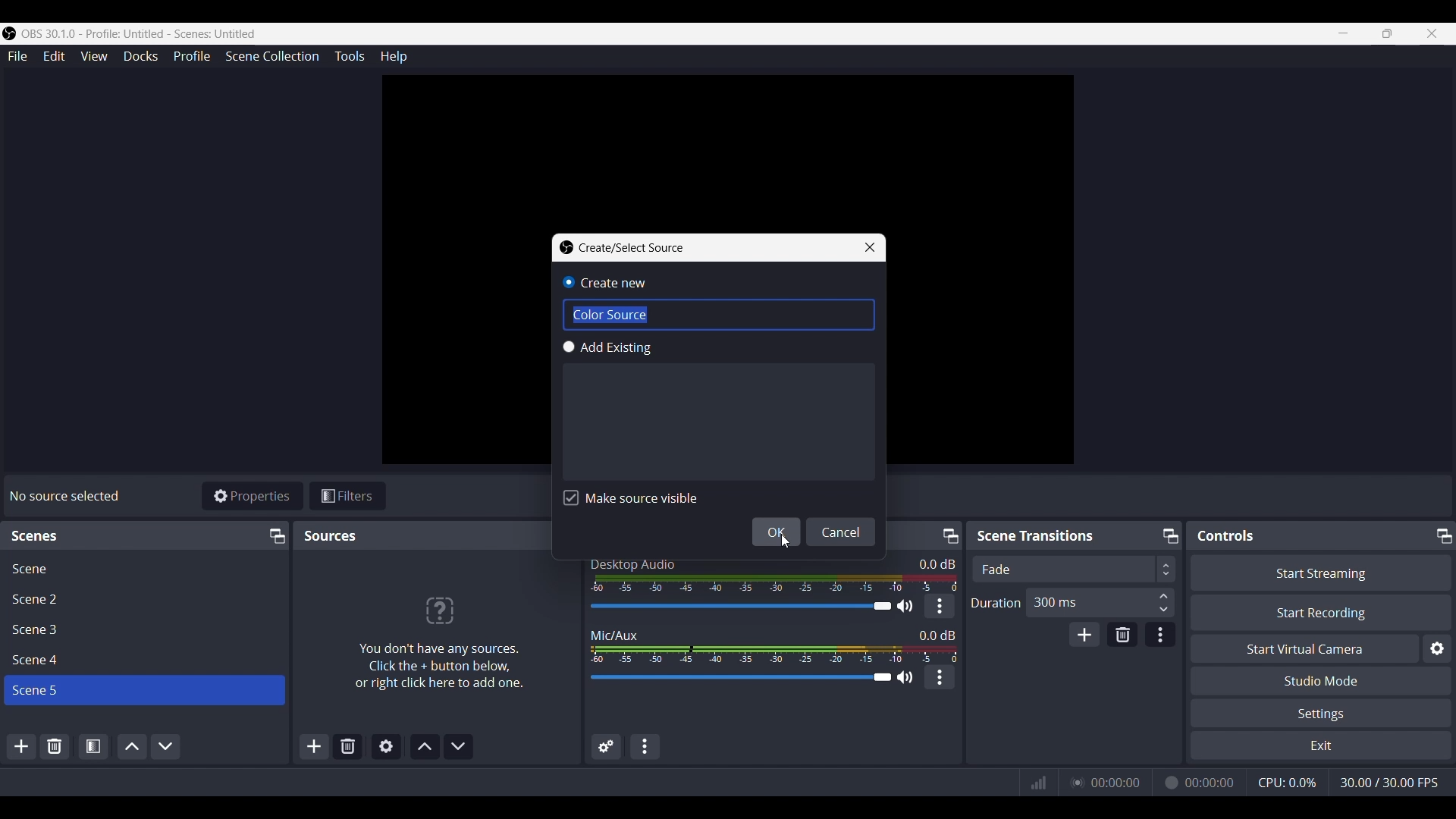 This screenshot has width=1456, height=819. What do you see at coordinates (1436, 647) in the screenshot?
I see `Settings` at bounding box center [1436, 647].